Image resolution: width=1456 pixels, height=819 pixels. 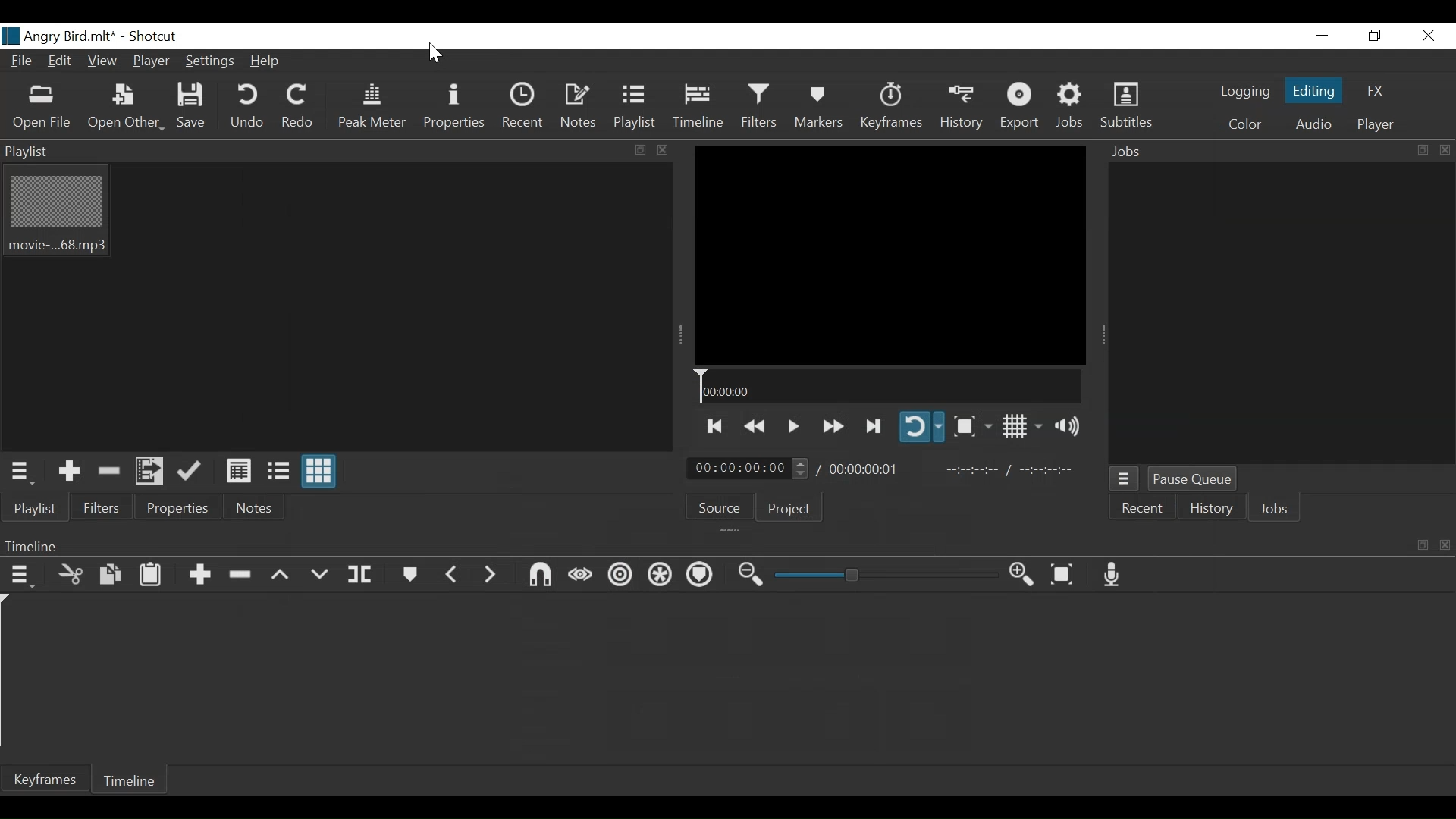 I want to click on Play quickly backward, so click(x=754, y=424).